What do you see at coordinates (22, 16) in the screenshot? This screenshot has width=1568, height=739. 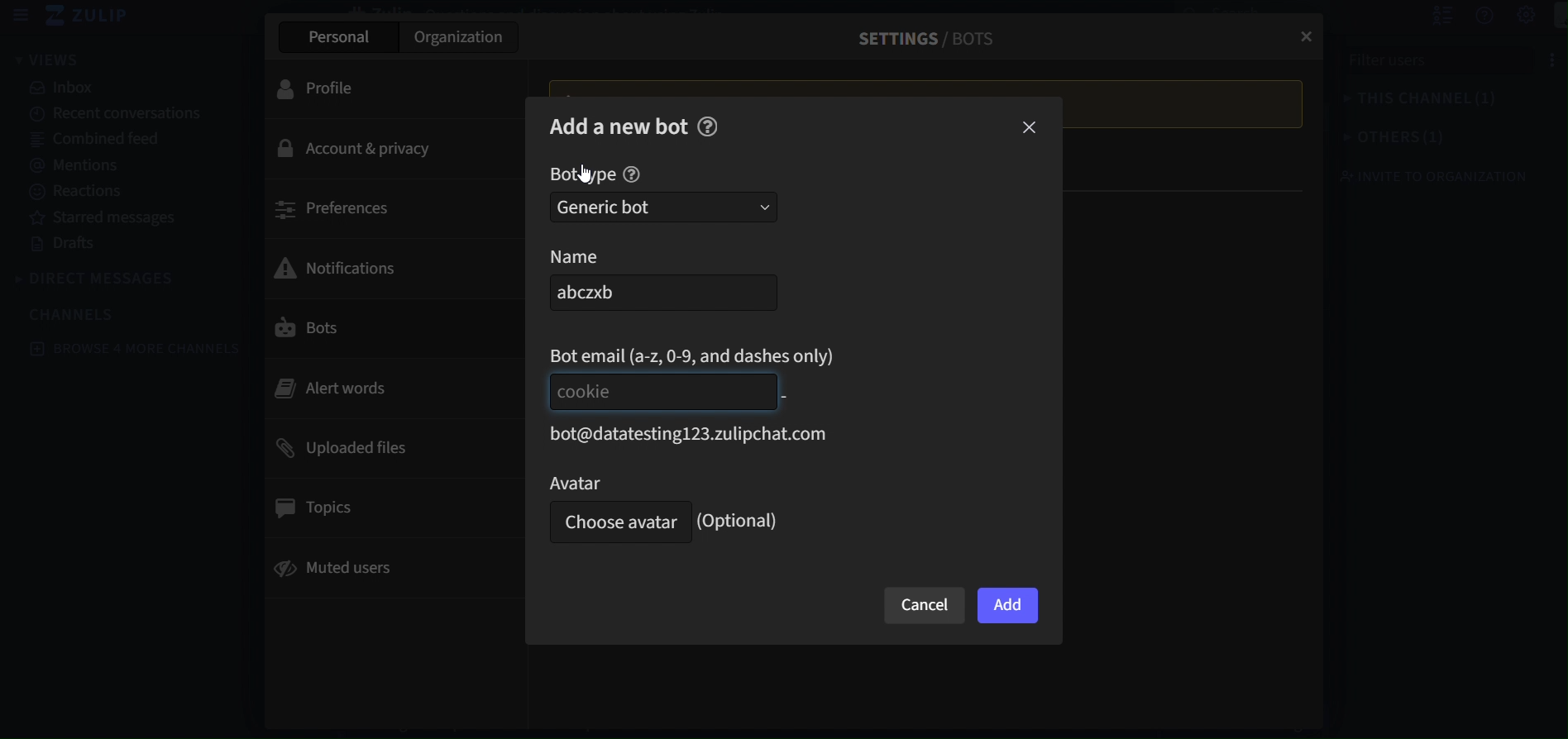 I see `hide sidebar` at bounding box center [22, 16].